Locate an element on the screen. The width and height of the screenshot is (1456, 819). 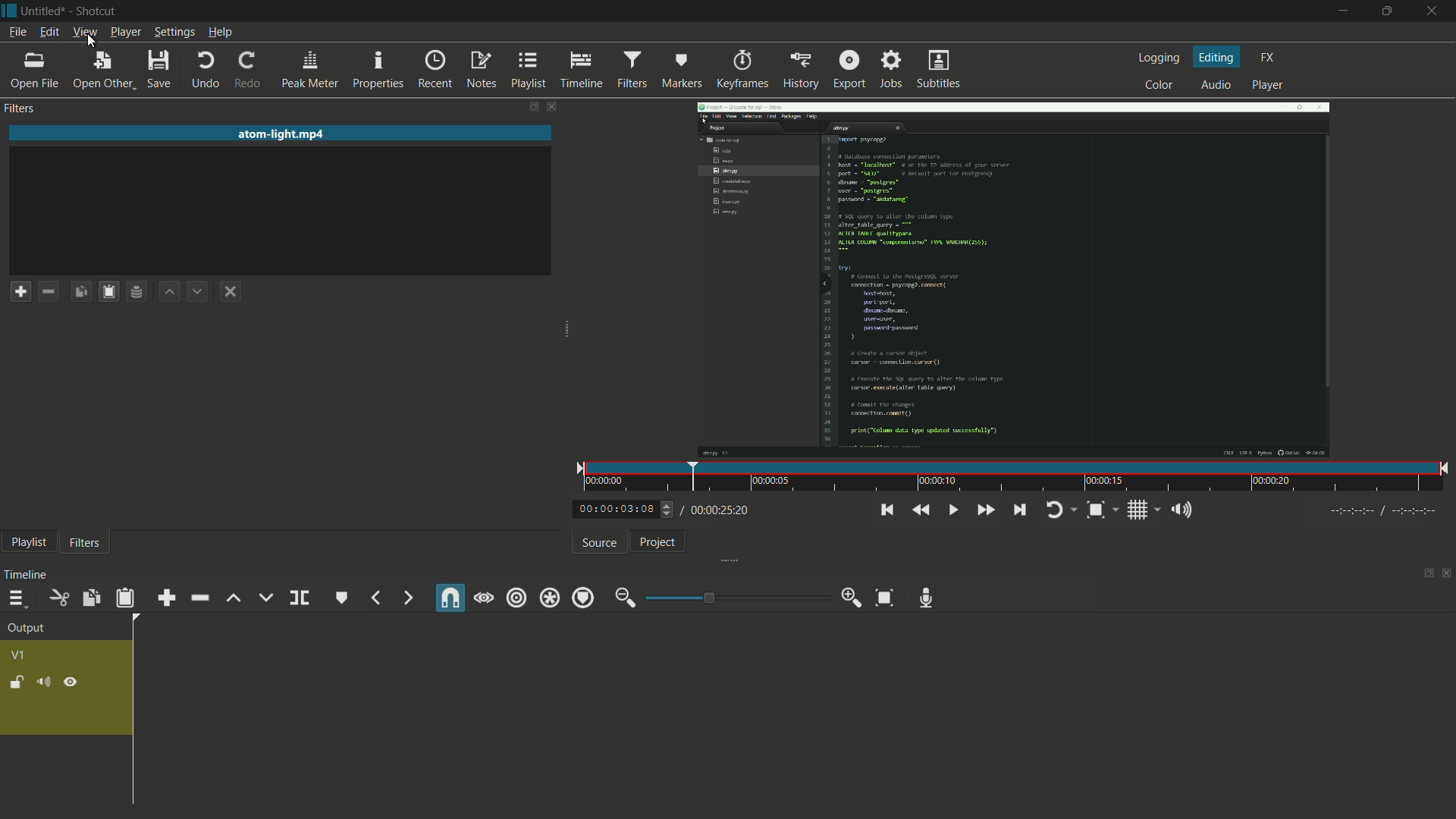
time is located at coordinates (1009, 479).